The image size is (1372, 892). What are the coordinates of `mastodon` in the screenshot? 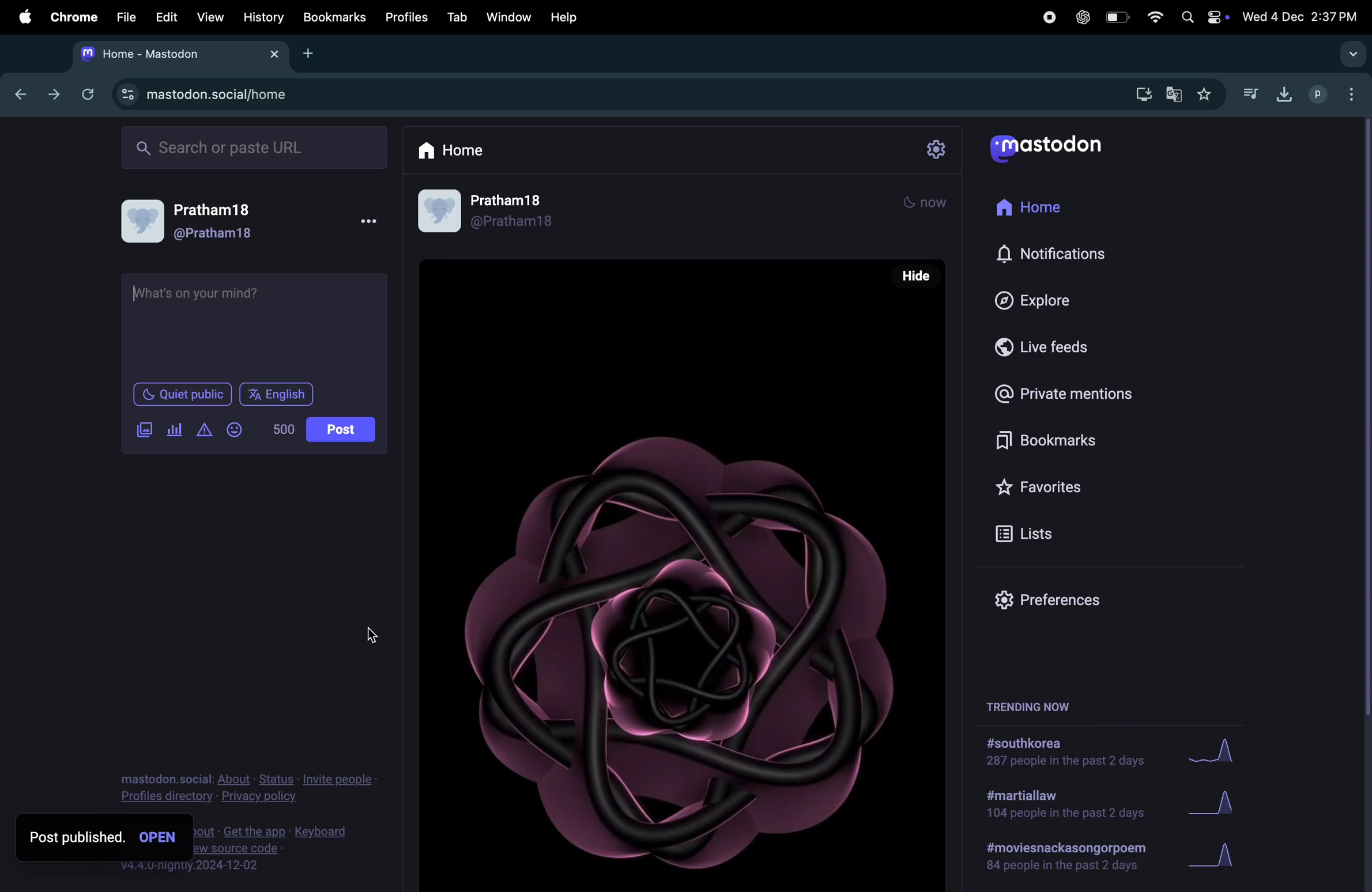 It's located at (1046, 144).